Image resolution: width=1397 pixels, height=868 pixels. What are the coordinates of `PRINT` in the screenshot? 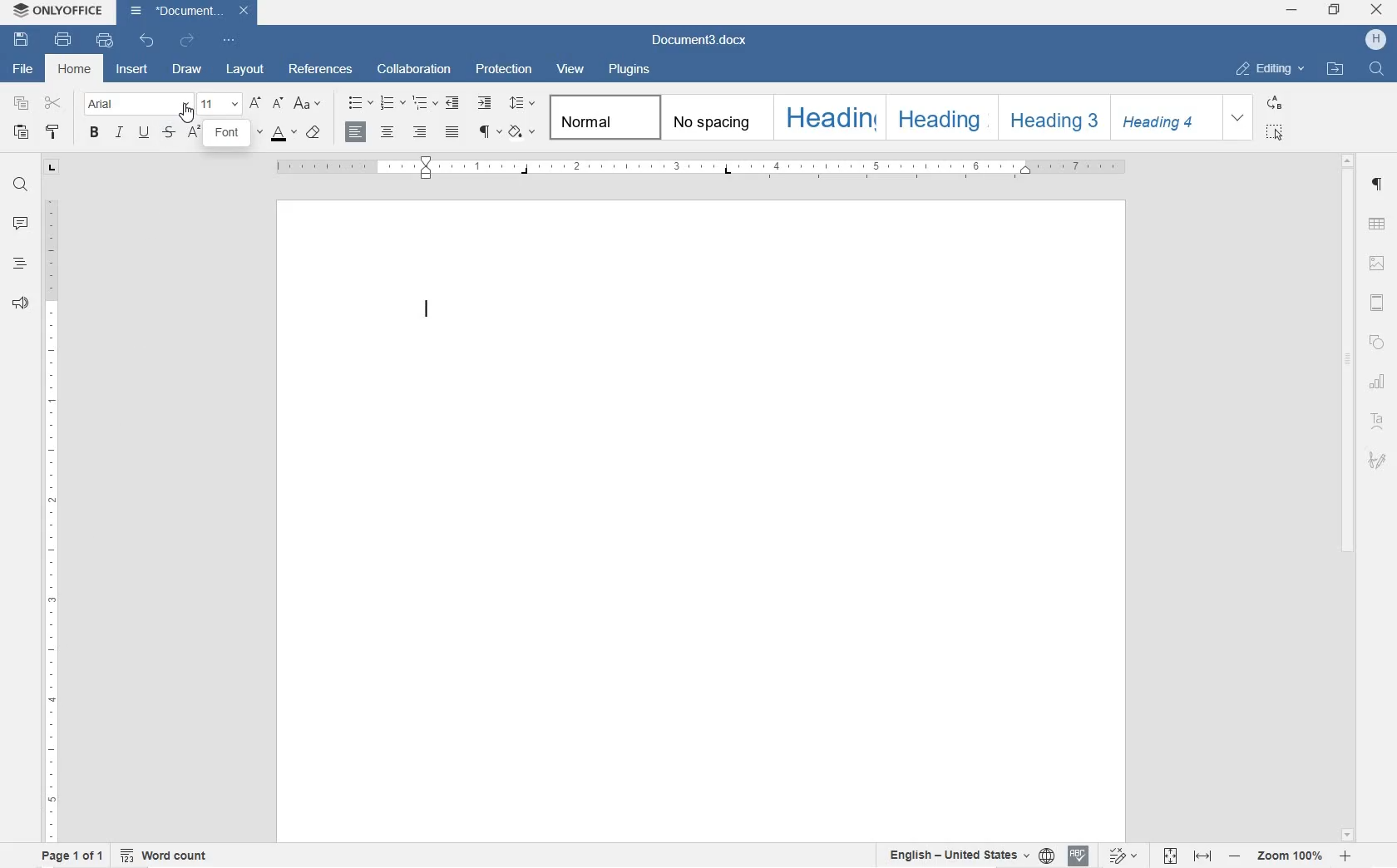 It's located at (62, 37).